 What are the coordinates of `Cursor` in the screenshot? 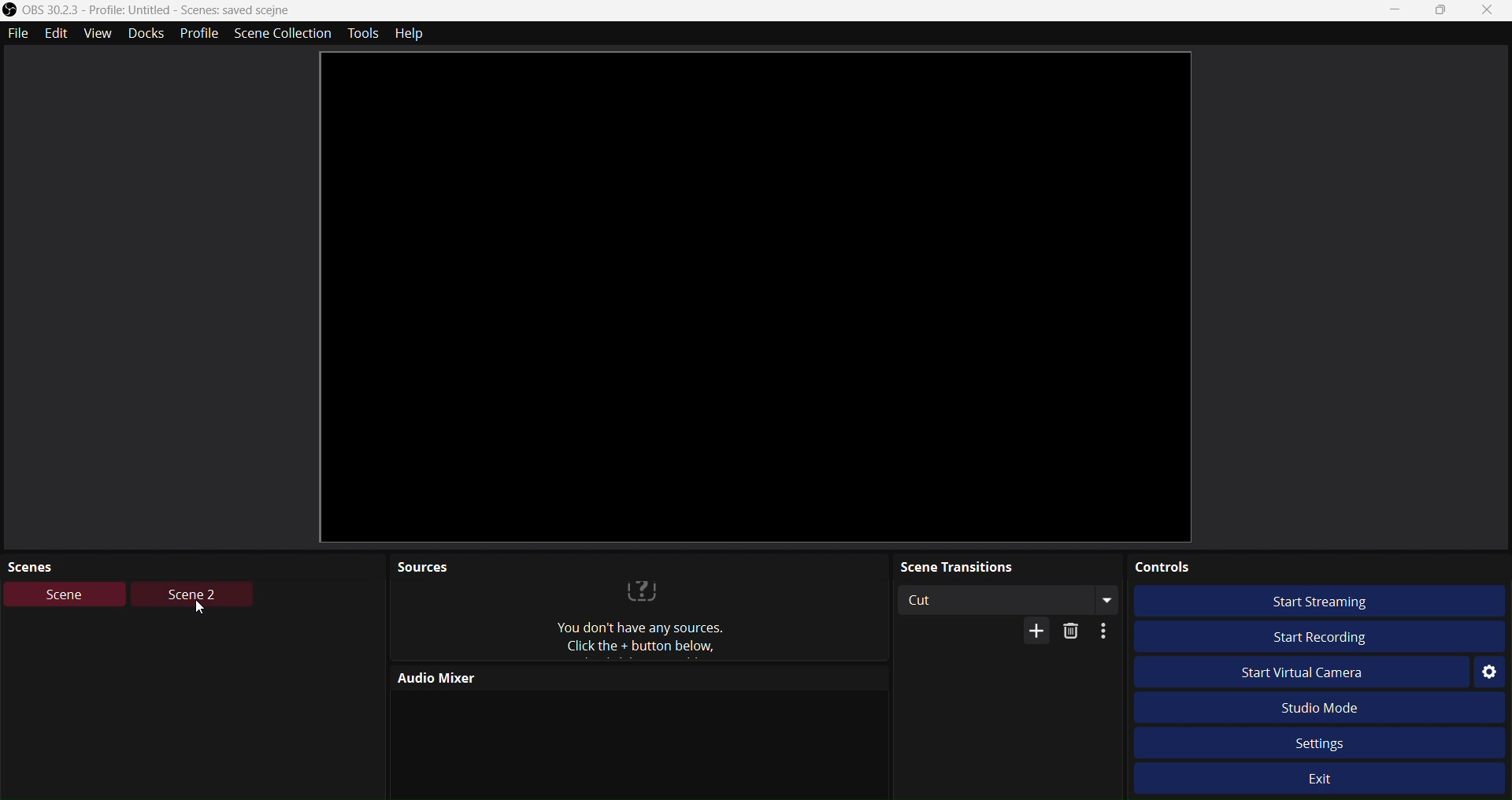 It's located at (198, 609).